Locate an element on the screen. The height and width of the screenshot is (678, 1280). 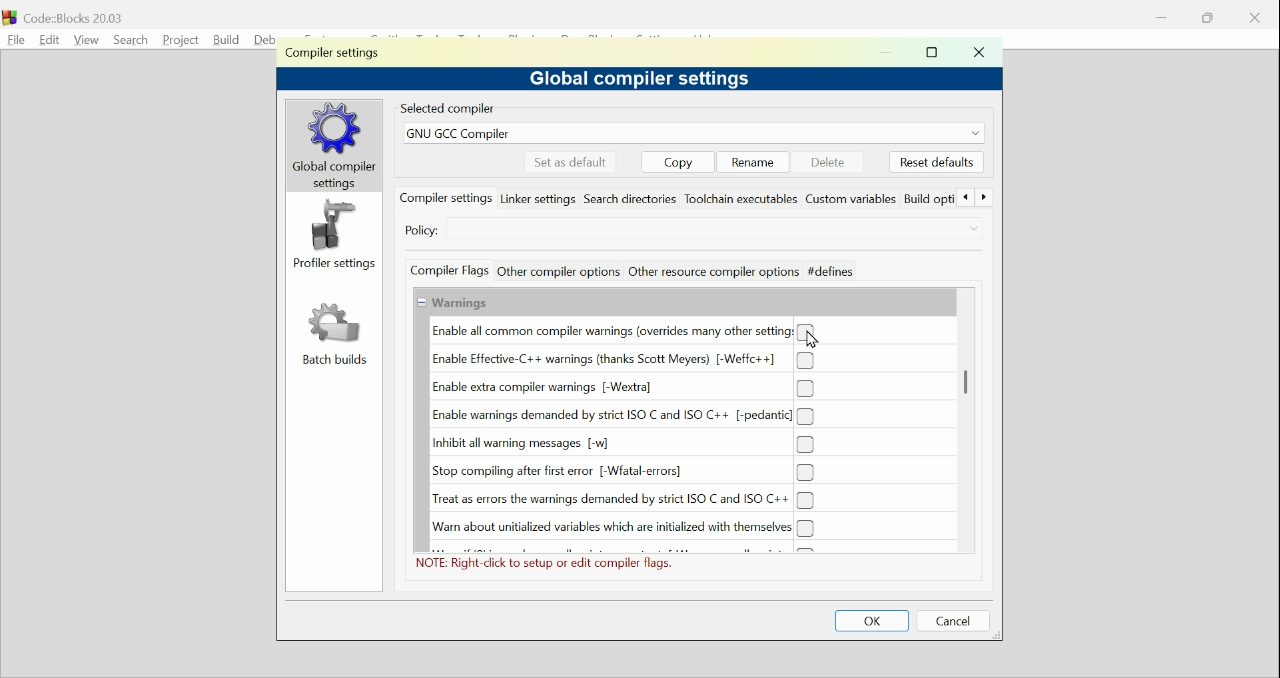
View is located at coordinates (86, 39).